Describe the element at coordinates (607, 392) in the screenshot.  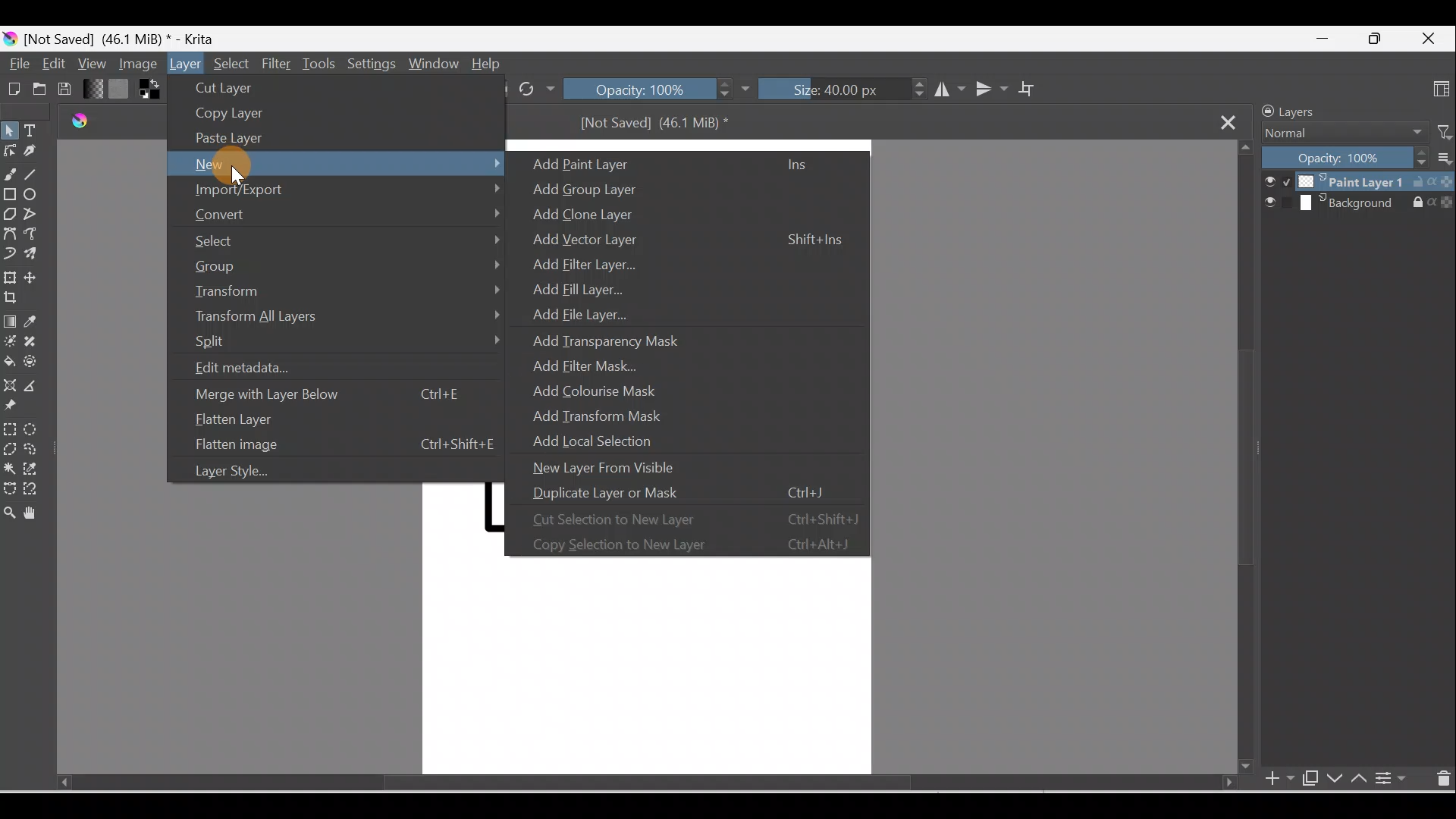
I see `Add colourise mask` at that location.